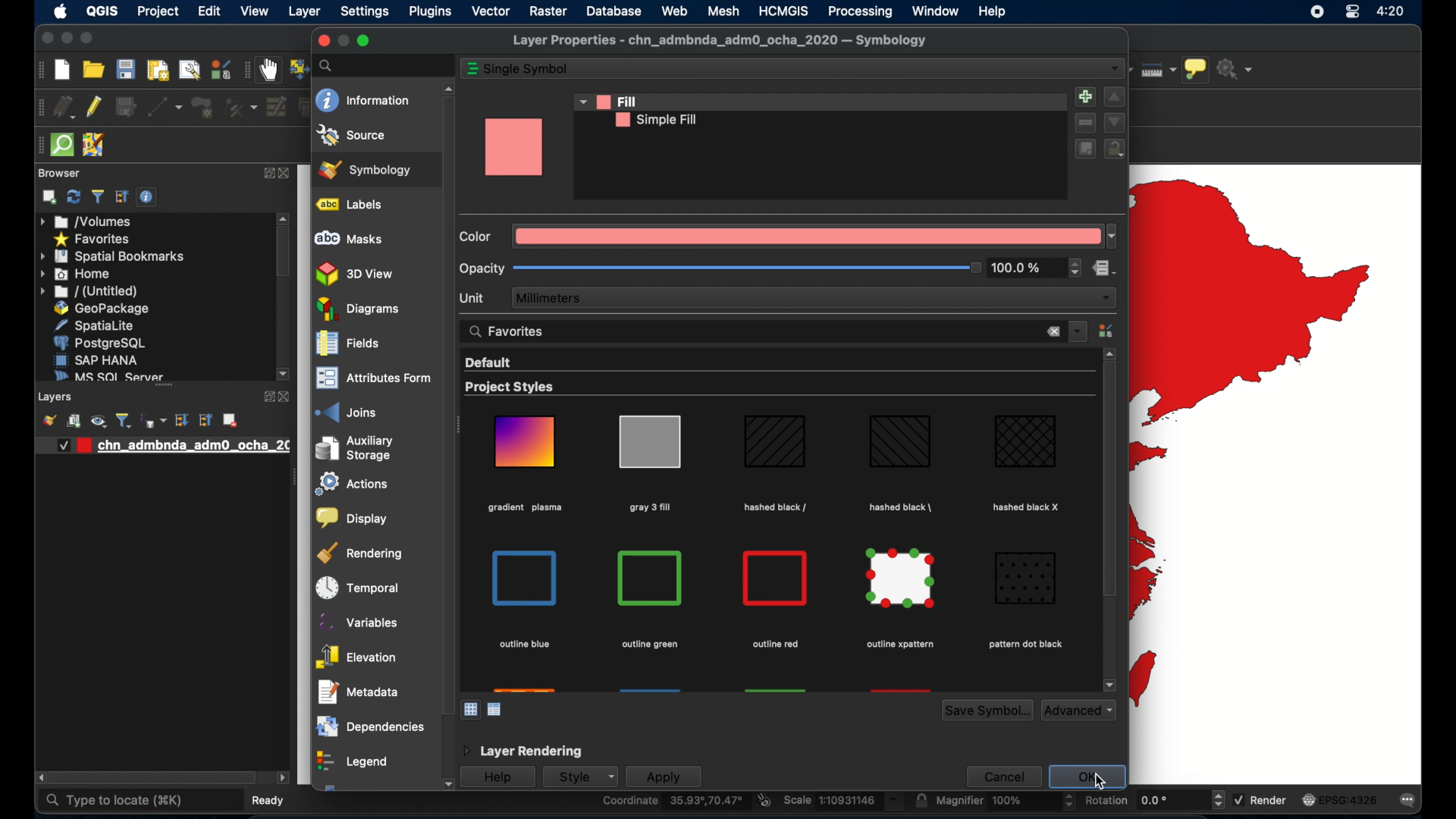  I want to click on quicksom, so click(61, 146).